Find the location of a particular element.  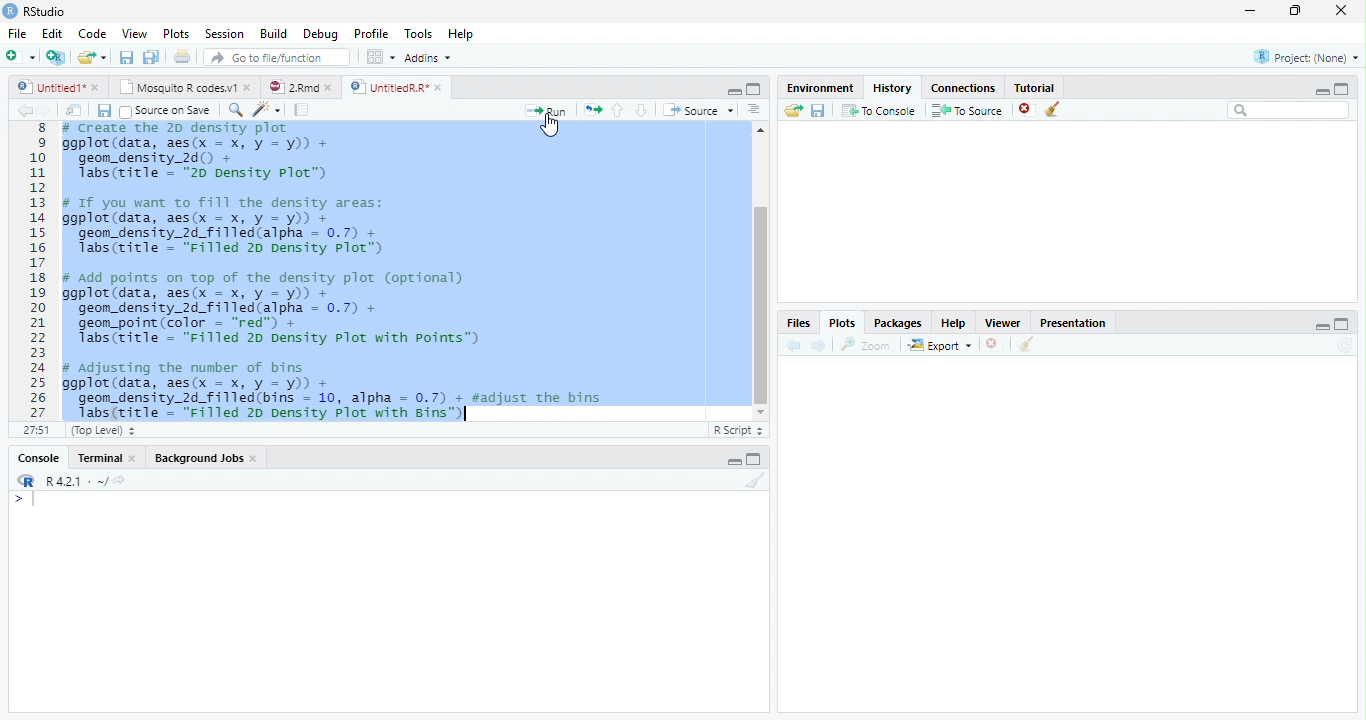

> is located at coordinates (24, 500).